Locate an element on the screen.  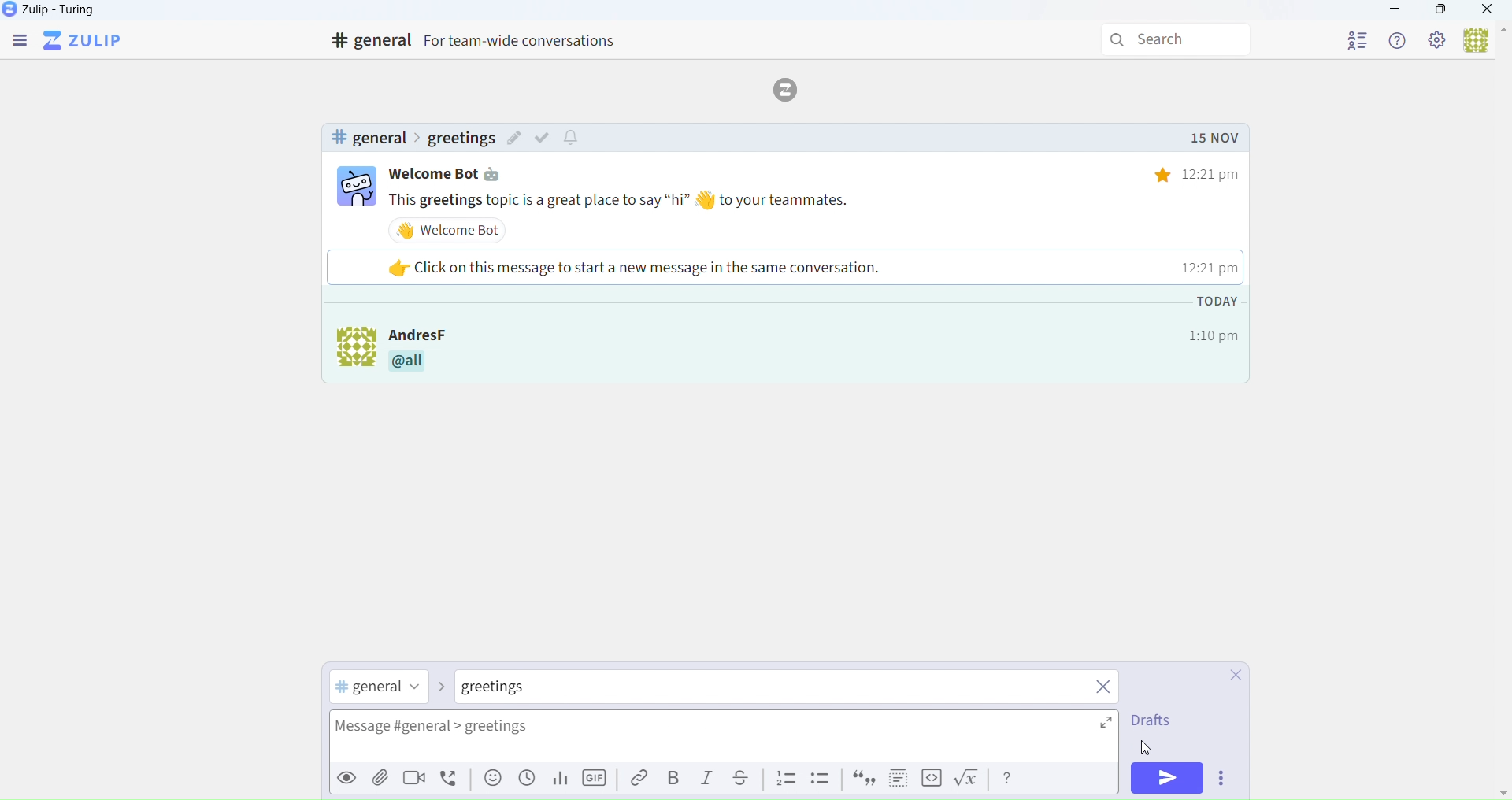
Help is located at coordinates (1399, 40).